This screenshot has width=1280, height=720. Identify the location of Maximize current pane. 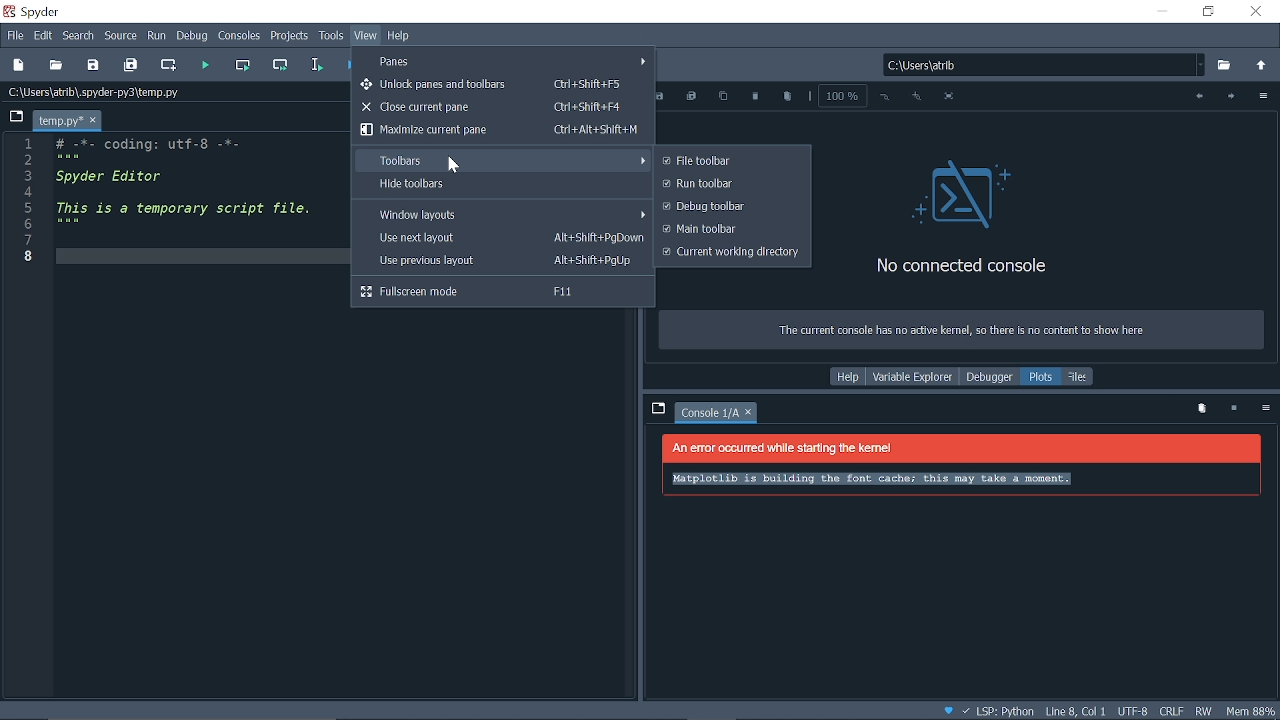
(499, 130).